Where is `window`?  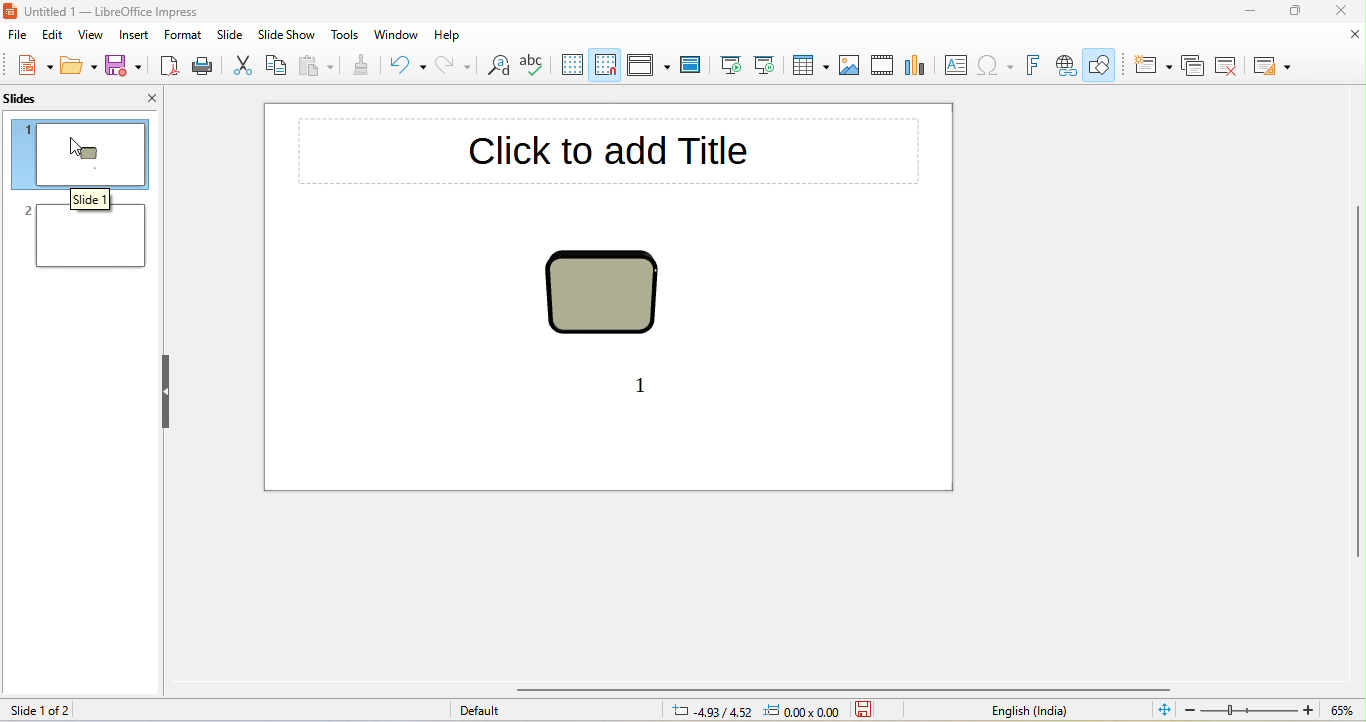
window is located at coordinates (397, 35).